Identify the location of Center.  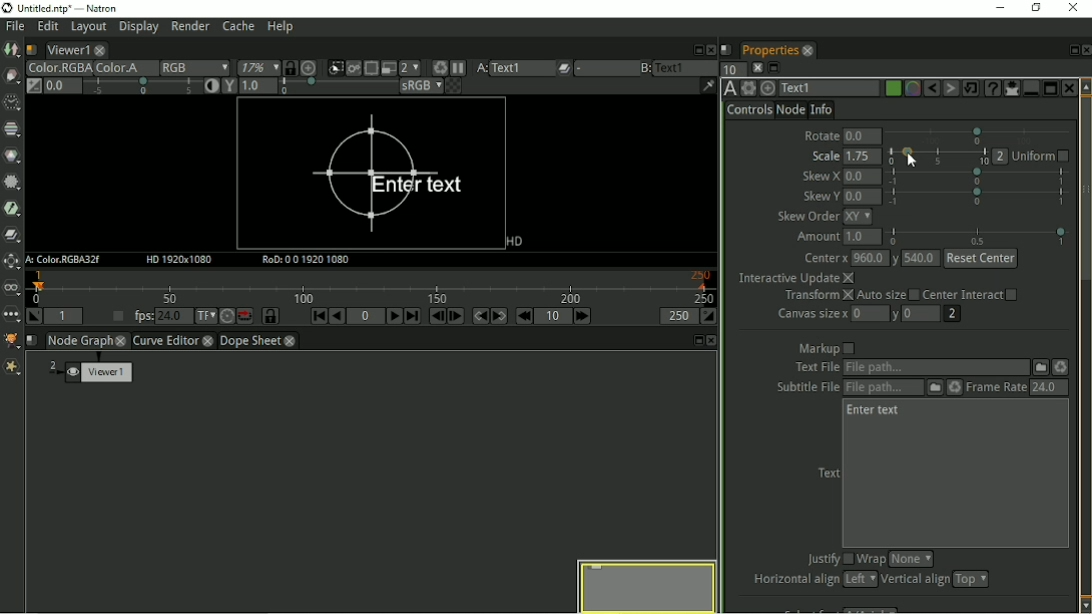
(911, 258).